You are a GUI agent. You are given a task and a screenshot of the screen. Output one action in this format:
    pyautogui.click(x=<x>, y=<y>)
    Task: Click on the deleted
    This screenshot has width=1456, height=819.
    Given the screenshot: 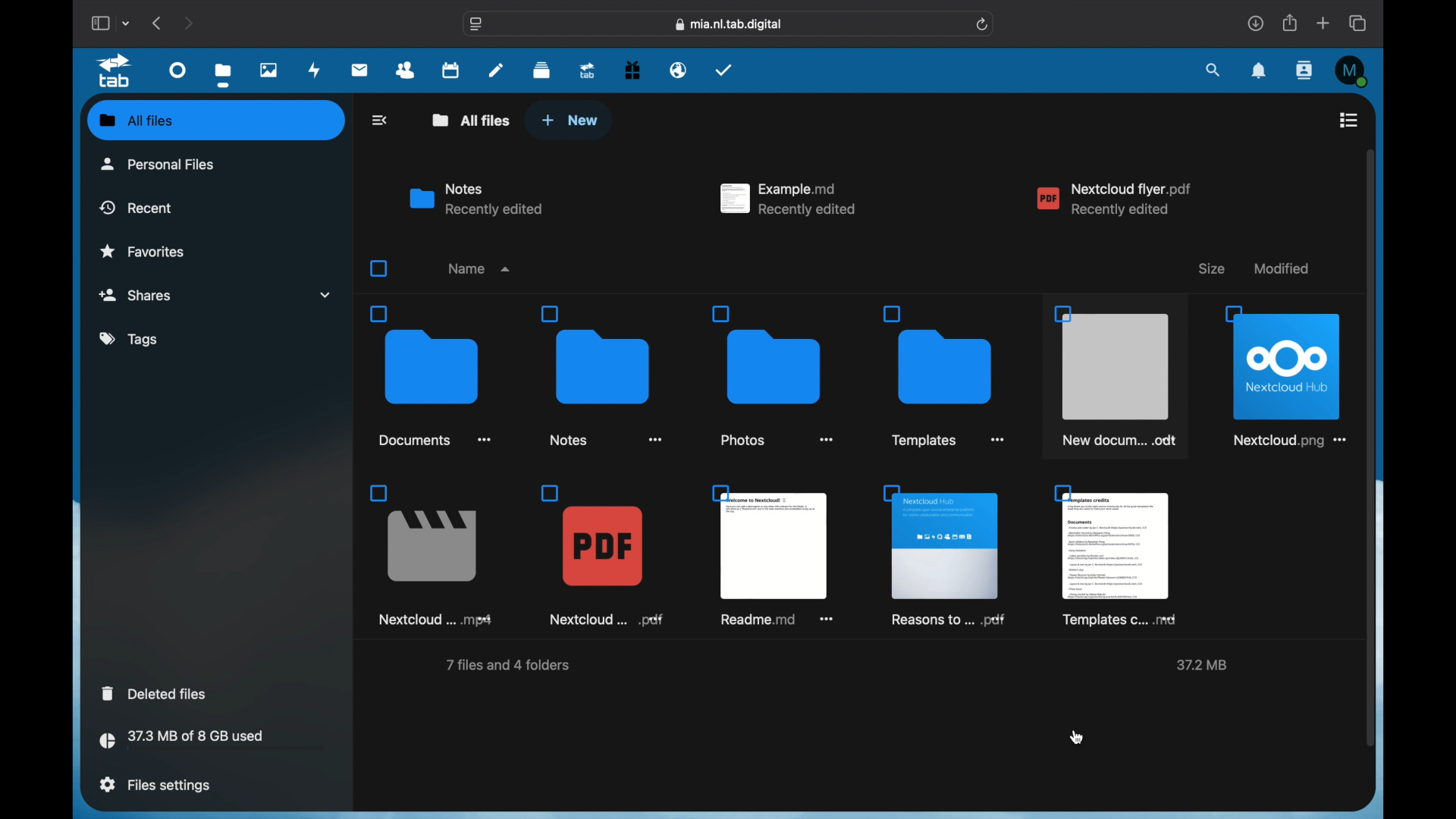 What is the action you would take?
    pyautogui.click(x=156, y=693)
    